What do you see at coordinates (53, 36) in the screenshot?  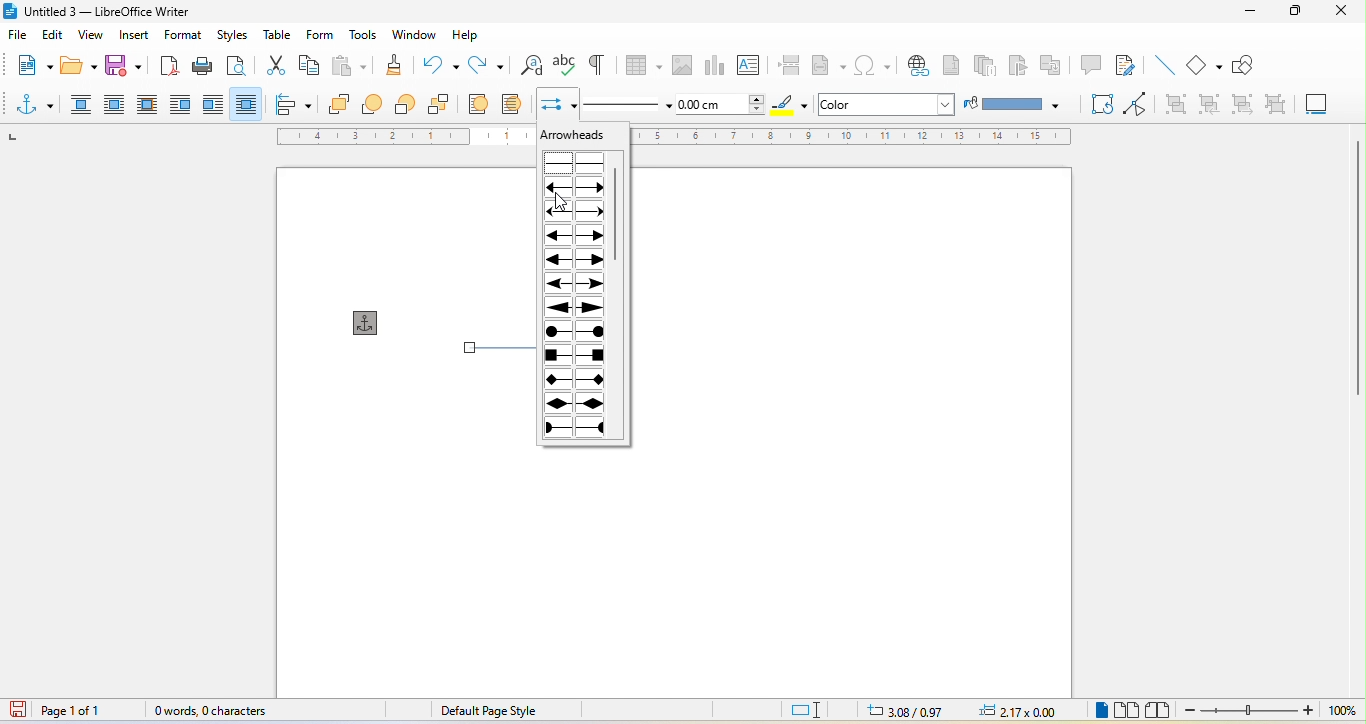 I see `edit` at bounding box center [53, 36].